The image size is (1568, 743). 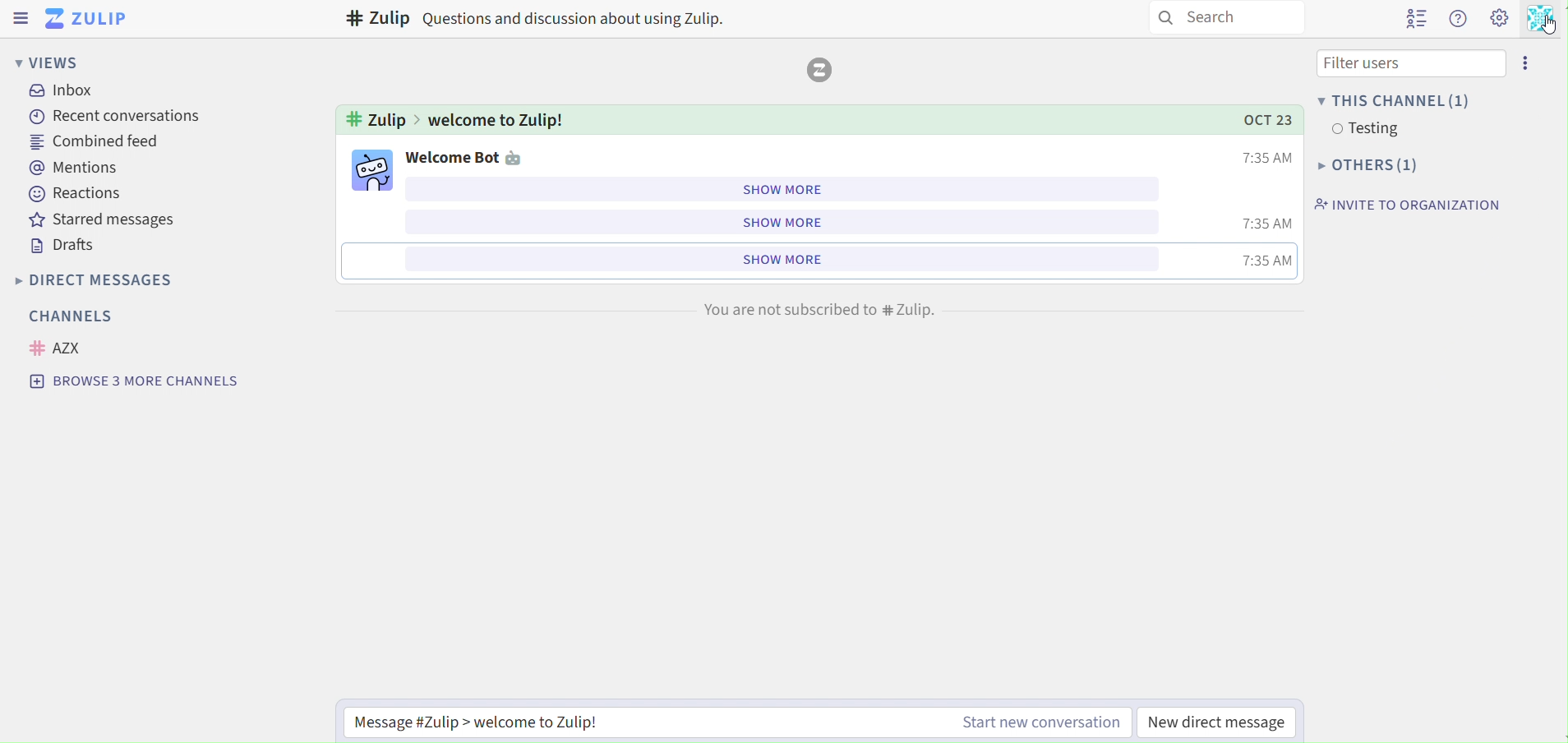 I want to click on menu, so click(x=1529, y=62).